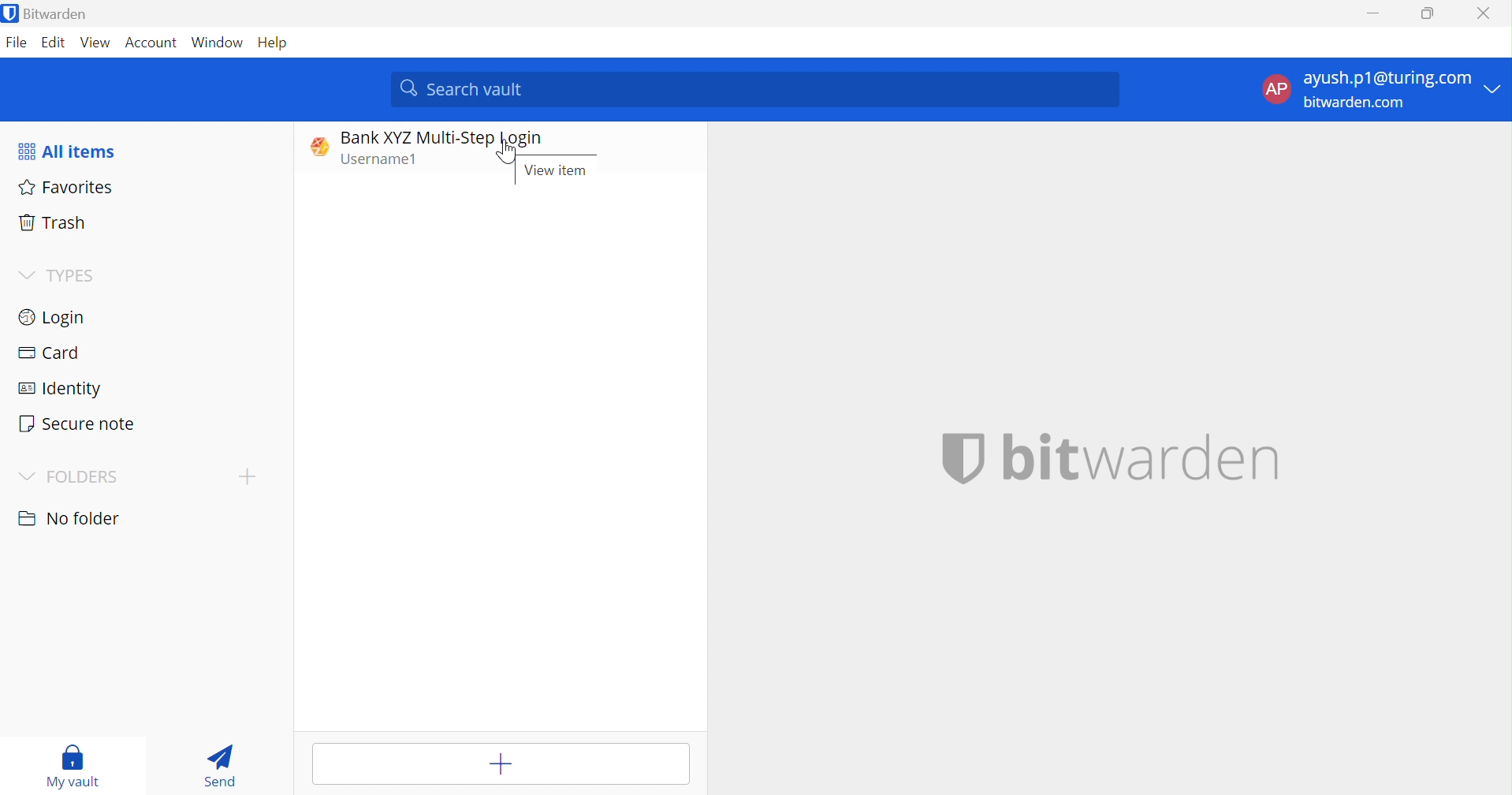 The width and height of the screenshot is (1512, 795). Describe the element at coordinates (1356, 103) in the screenshot. I see `bitwarden.com` at that location.